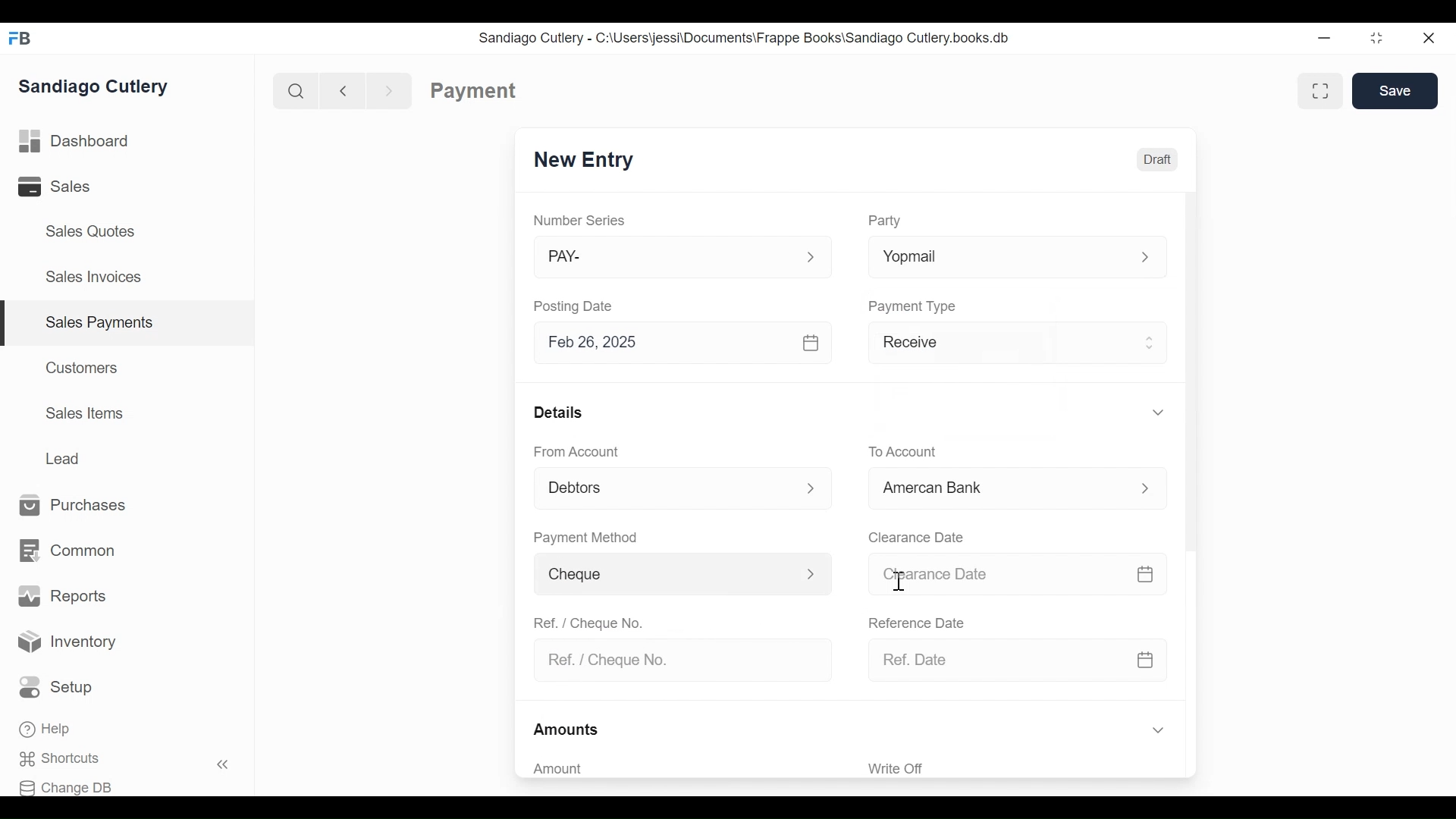  Describe the element at coordinates (812, 343) in the screenshot. I see `Calendar` at that location.